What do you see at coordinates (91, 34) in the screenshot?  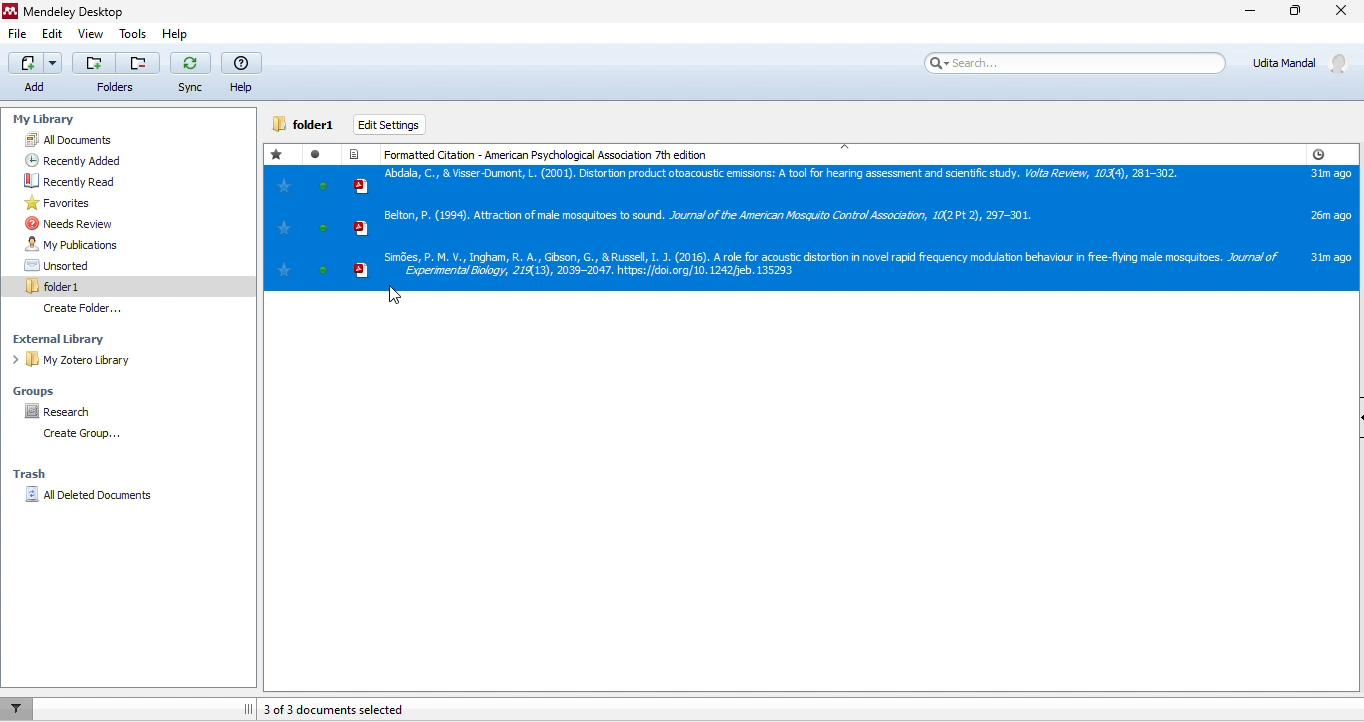 I see `view` at bounding box center [91, 34].